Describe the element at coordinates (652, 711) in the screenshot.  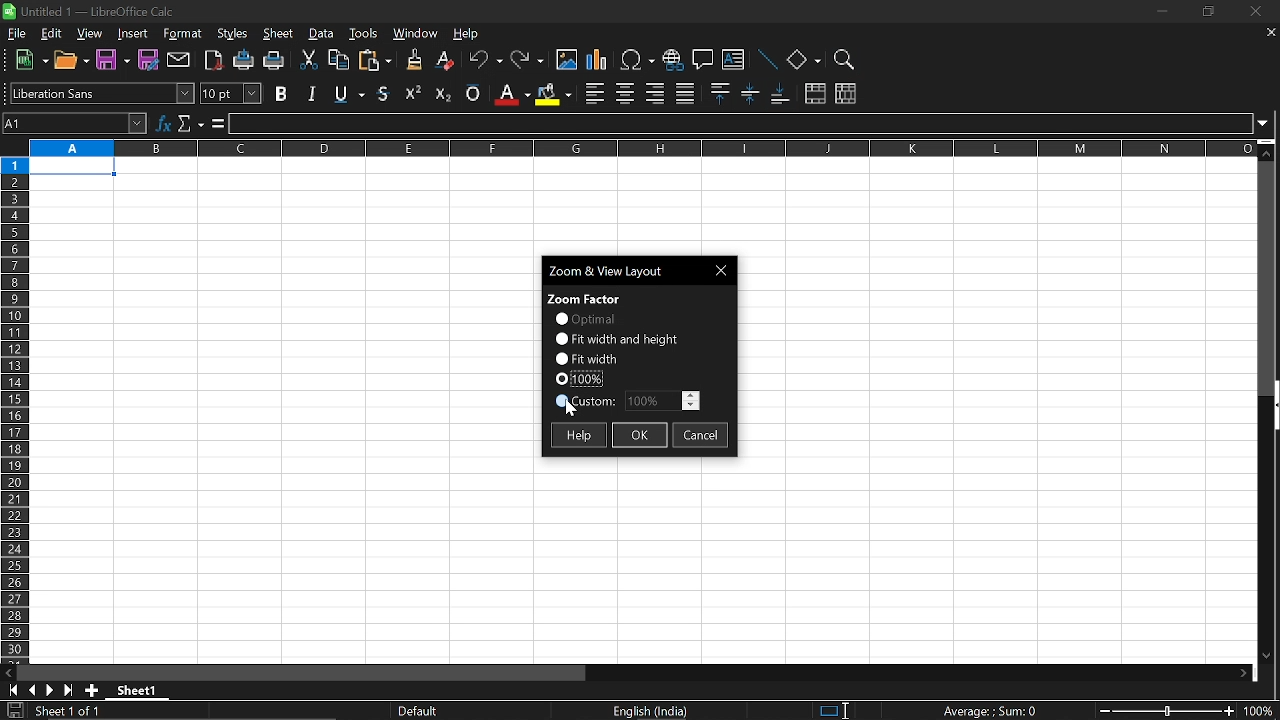
I see `current language` at that location.